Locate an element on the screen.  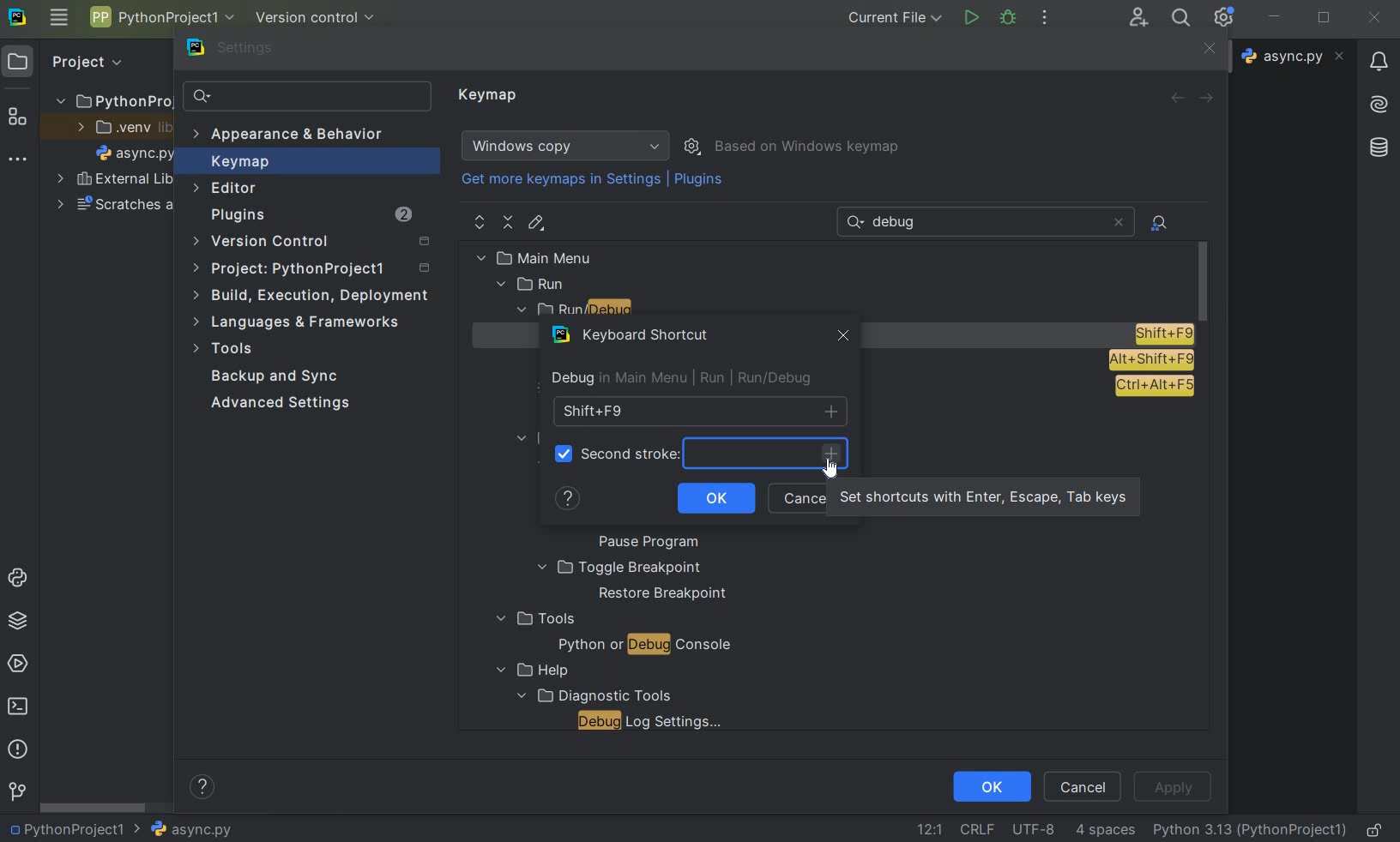
more actions is located at coordinates (1044, 19).